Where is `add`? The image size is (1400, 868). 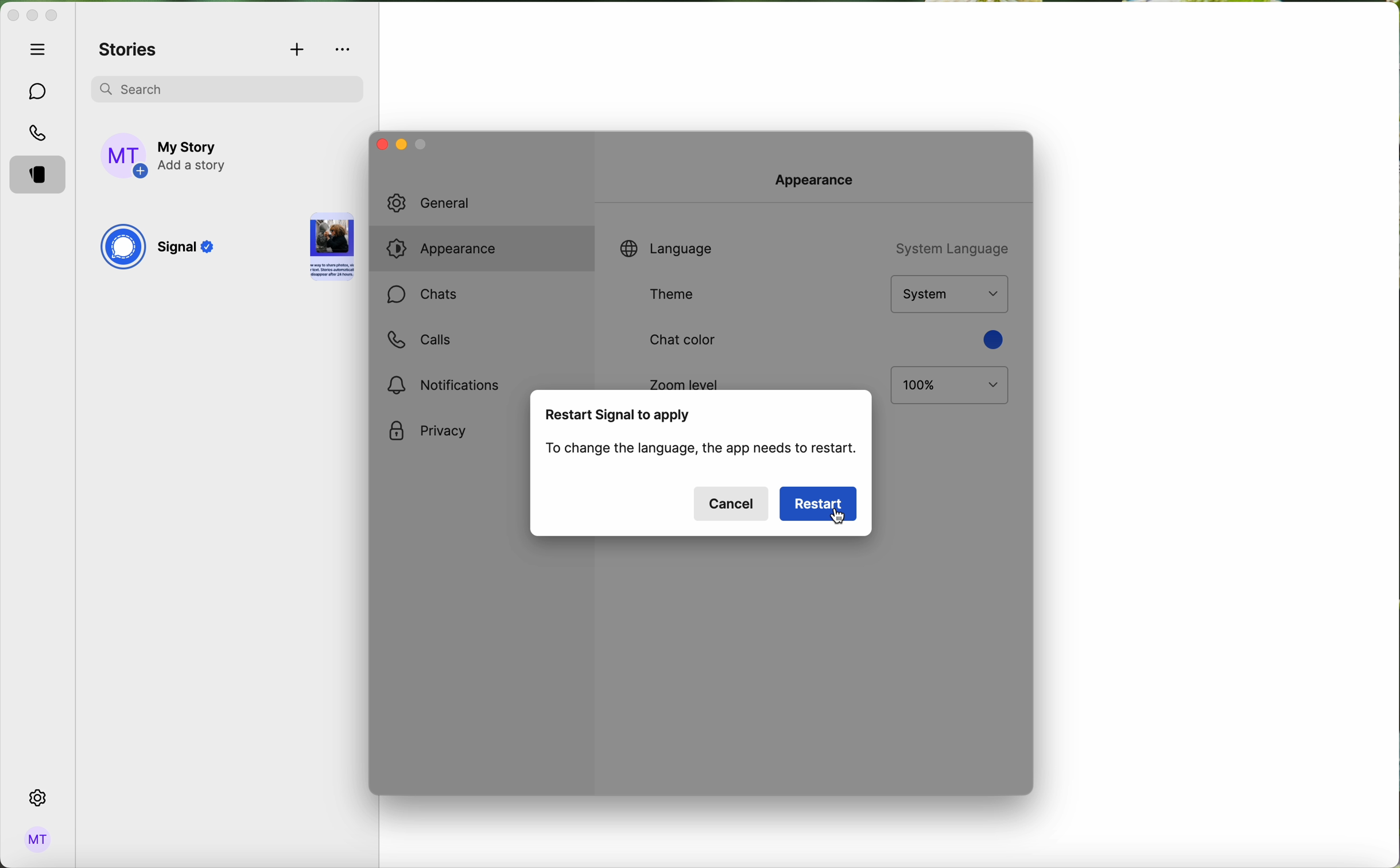
add is located at coordinates (298, 51).